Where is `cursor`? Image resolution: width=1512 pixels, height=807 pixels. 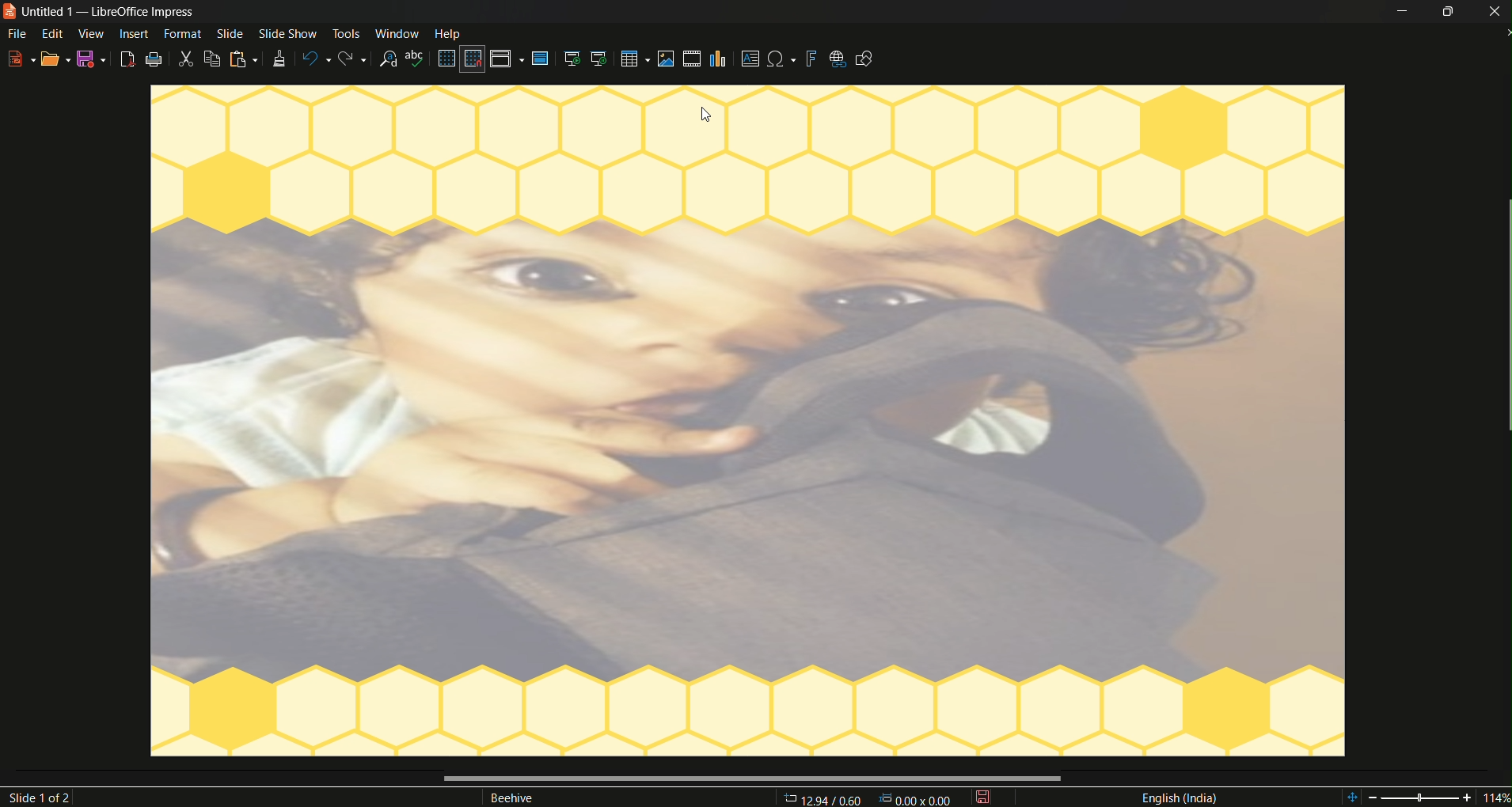
cursor is located at coordinates (708, 115).